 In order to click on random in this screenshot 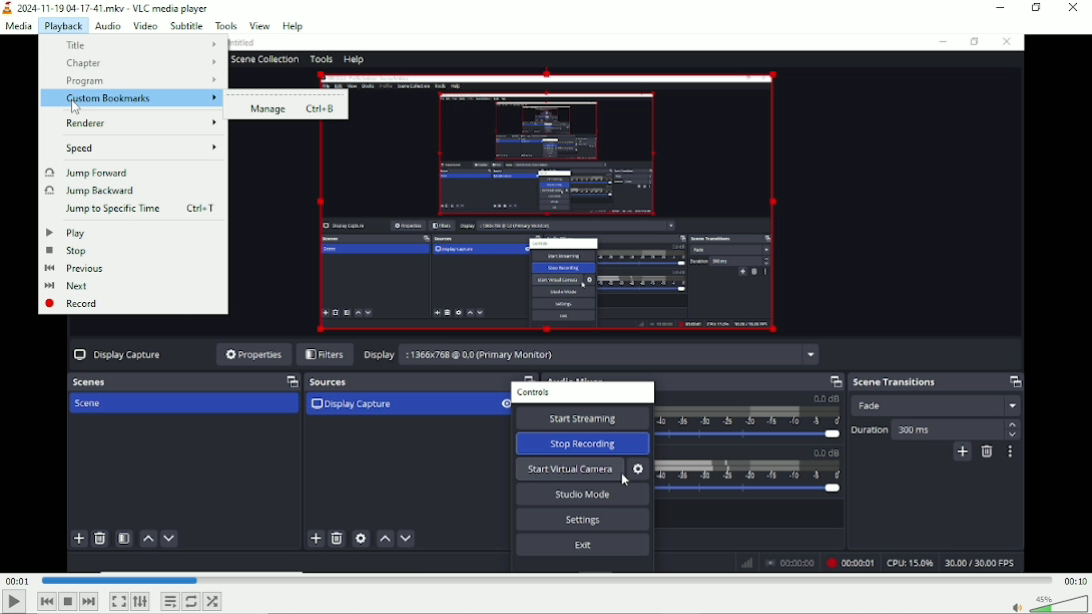, I will do `click(213, 601)`.